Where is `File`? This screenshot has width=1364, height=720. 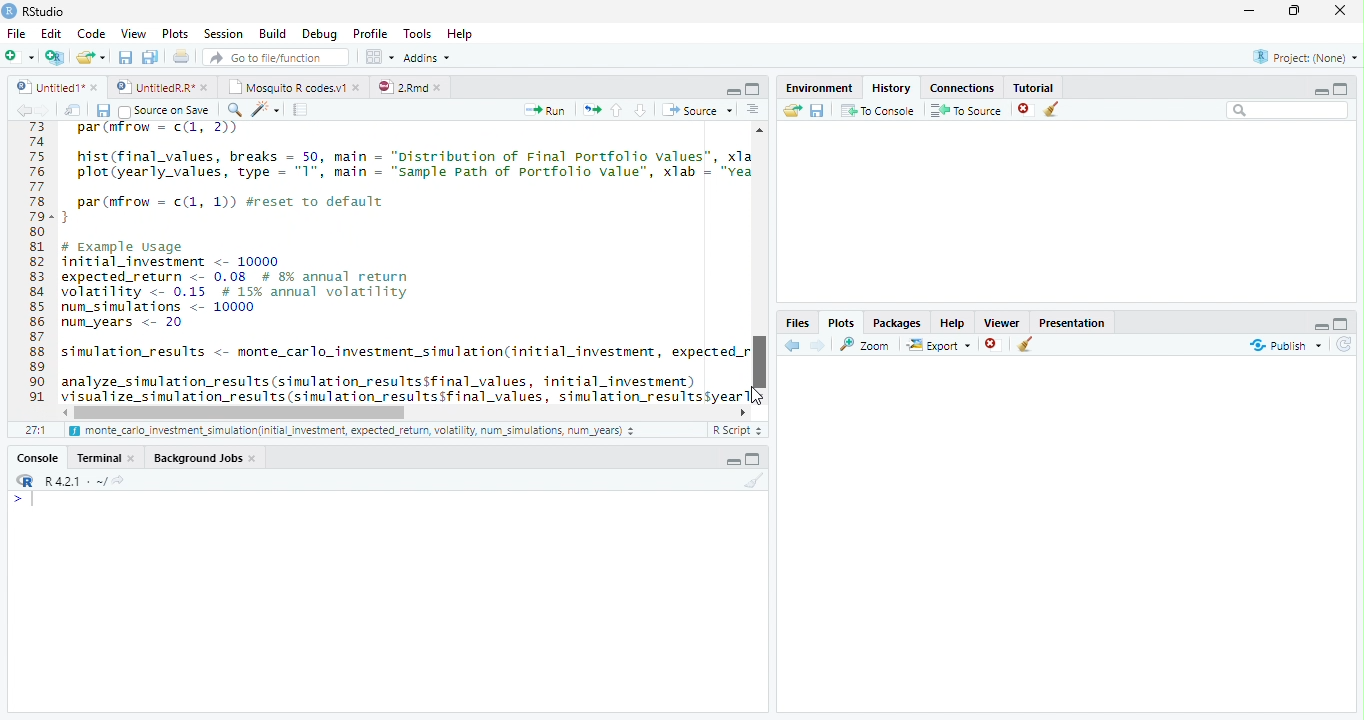 File is located at coordinates (15, 33).